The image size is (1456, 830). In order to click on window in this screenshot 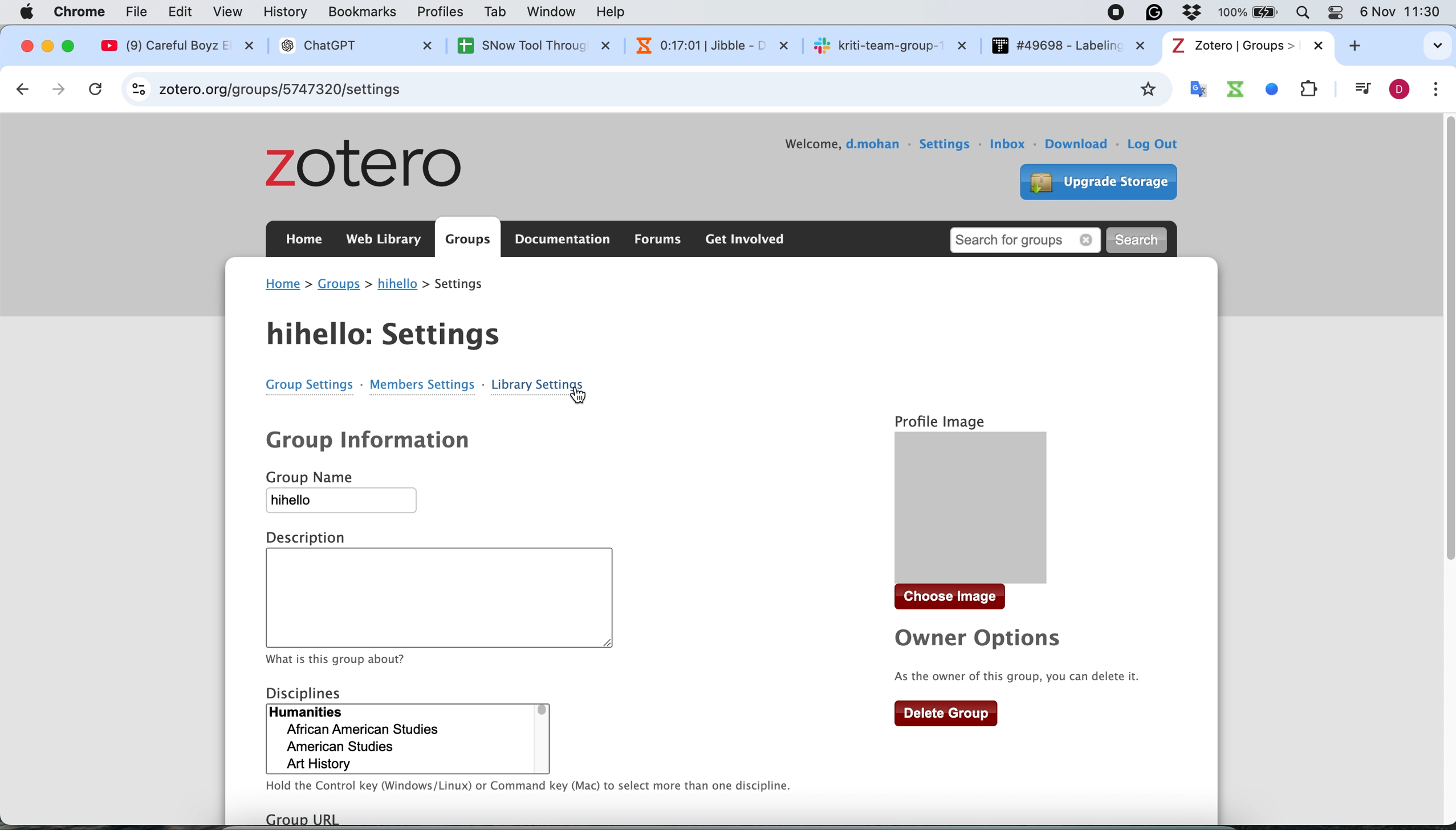, I will do `click(554, 13)`.